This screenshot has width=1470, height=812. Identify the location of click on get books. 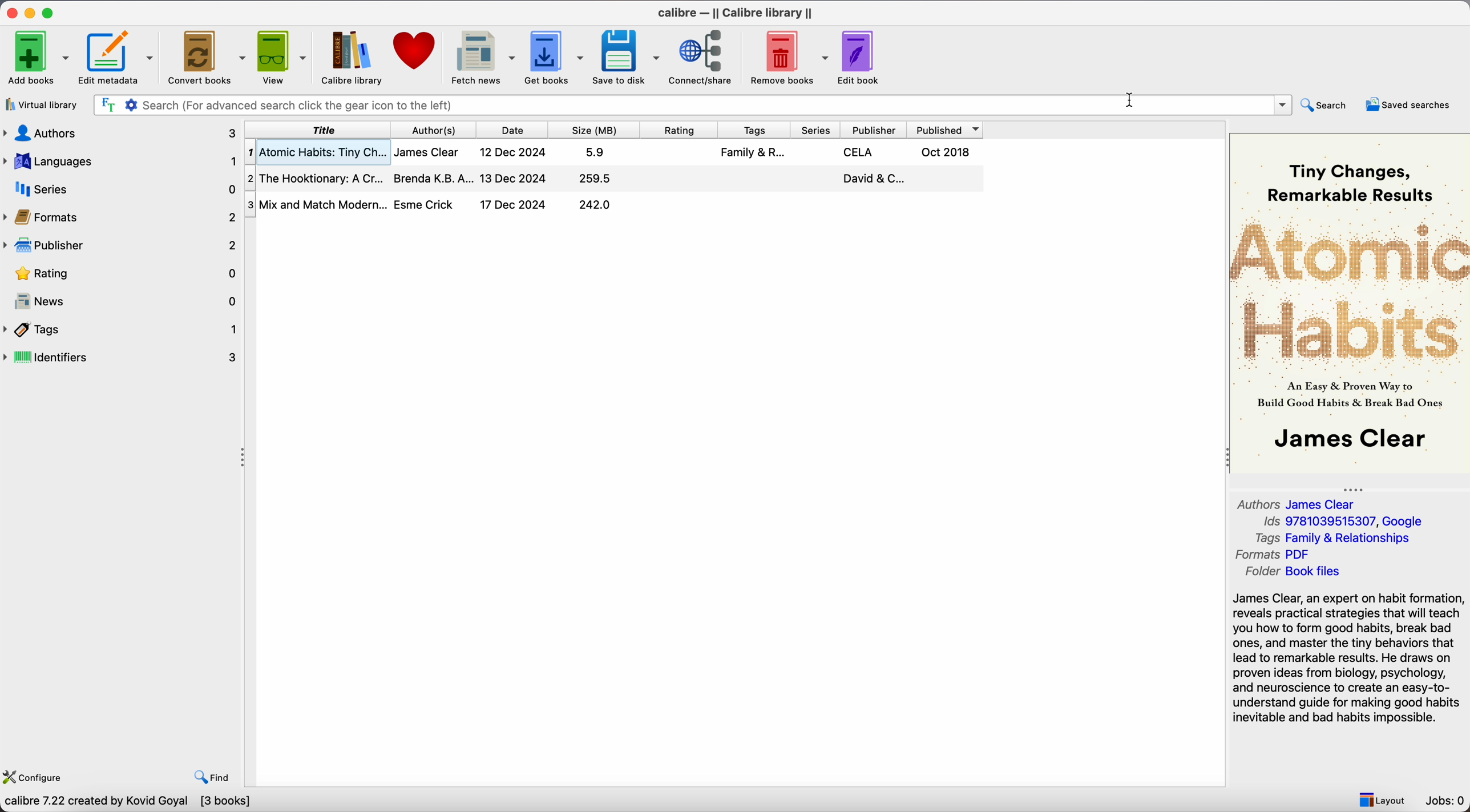
(551, 58).